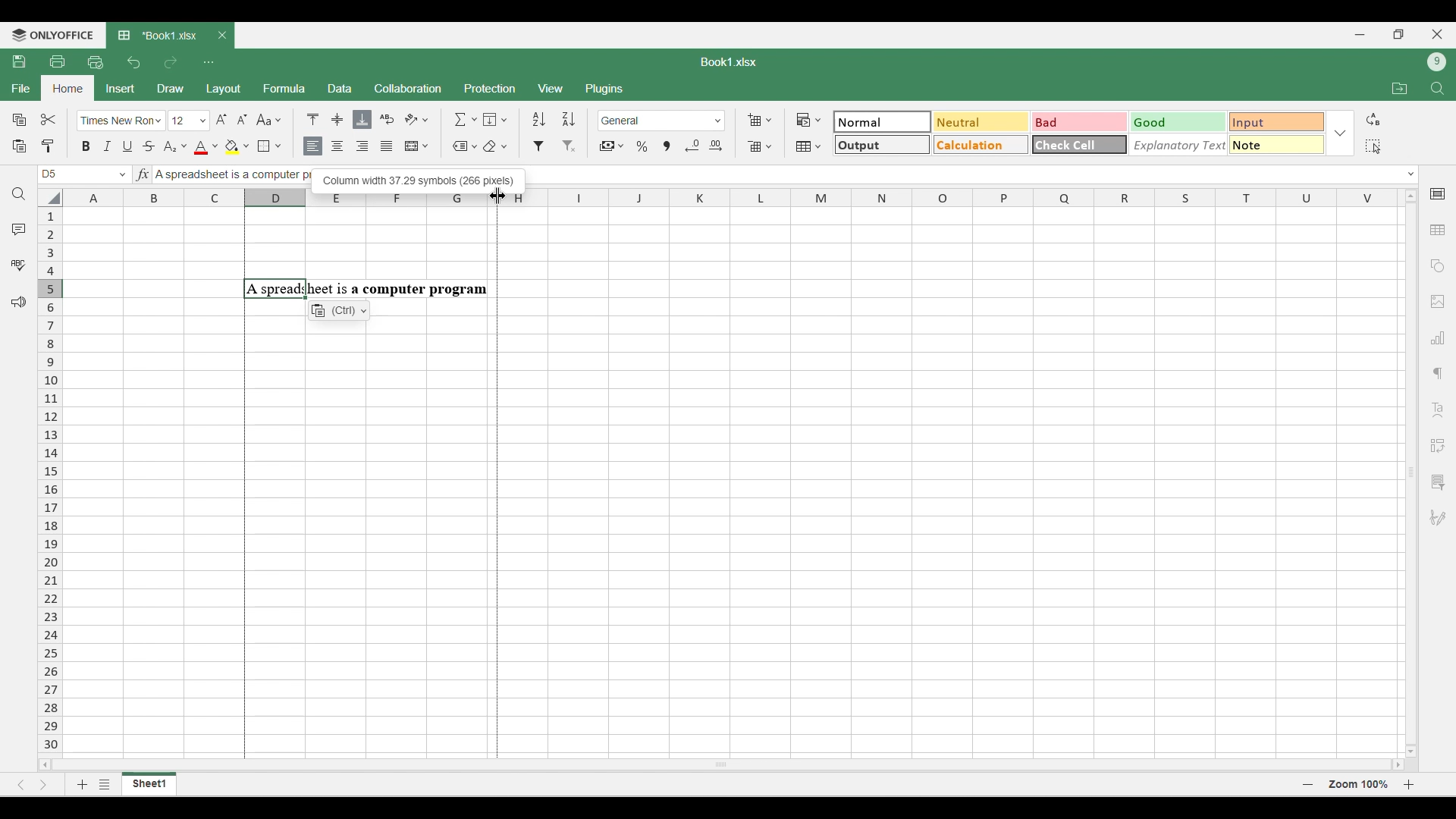 Image resolution: width=1456 pixels, height=819 pixels. What do you see at coordinates (121, 89) in the screenshot?
I see `Insert menu` at bounding box center [121, 89].